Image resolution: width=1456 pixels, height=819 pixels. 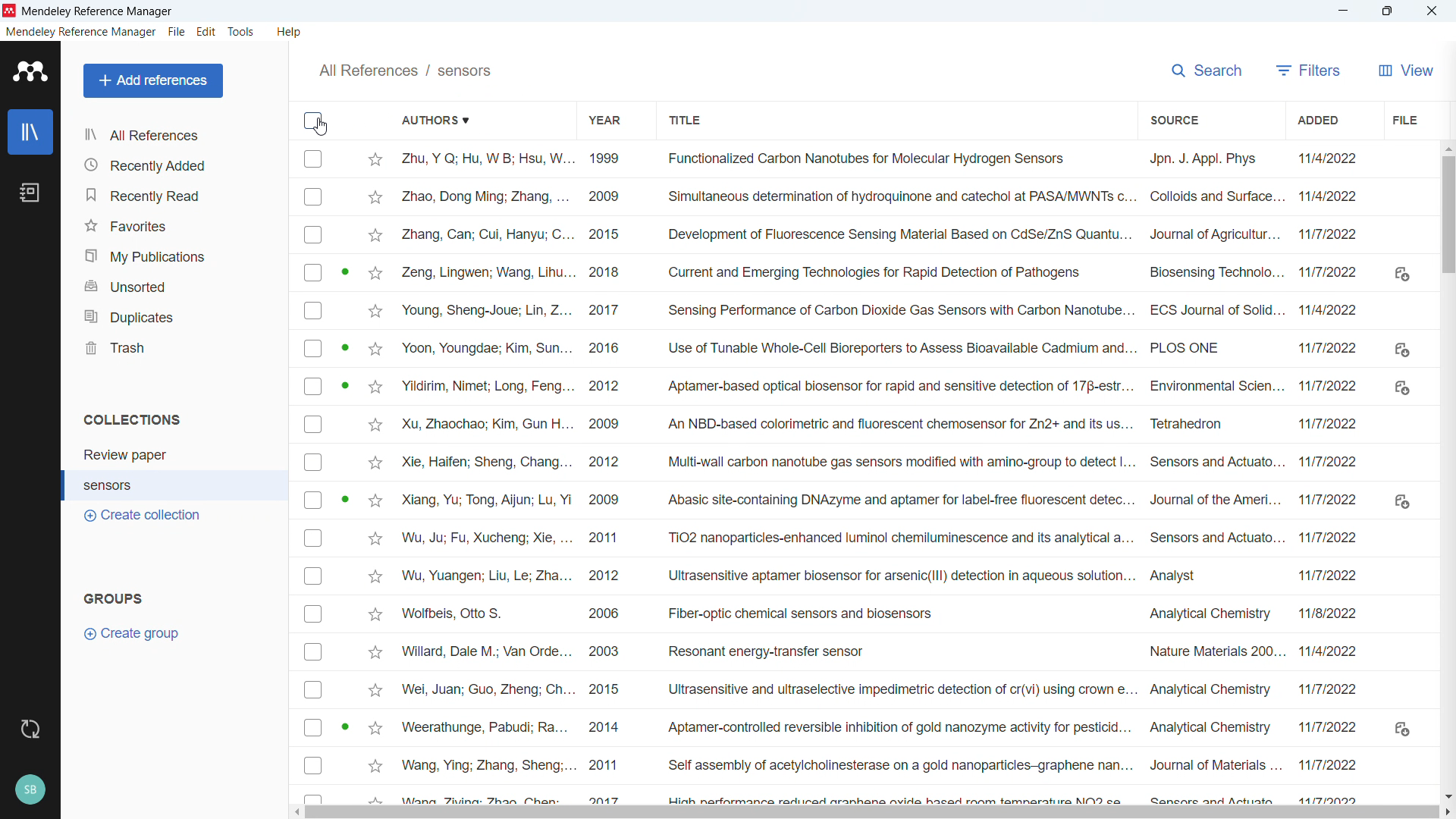 What do you see at coordinates (345, 384) in the screenshot?
I see `PDF available` at bounding box center [345, 384].